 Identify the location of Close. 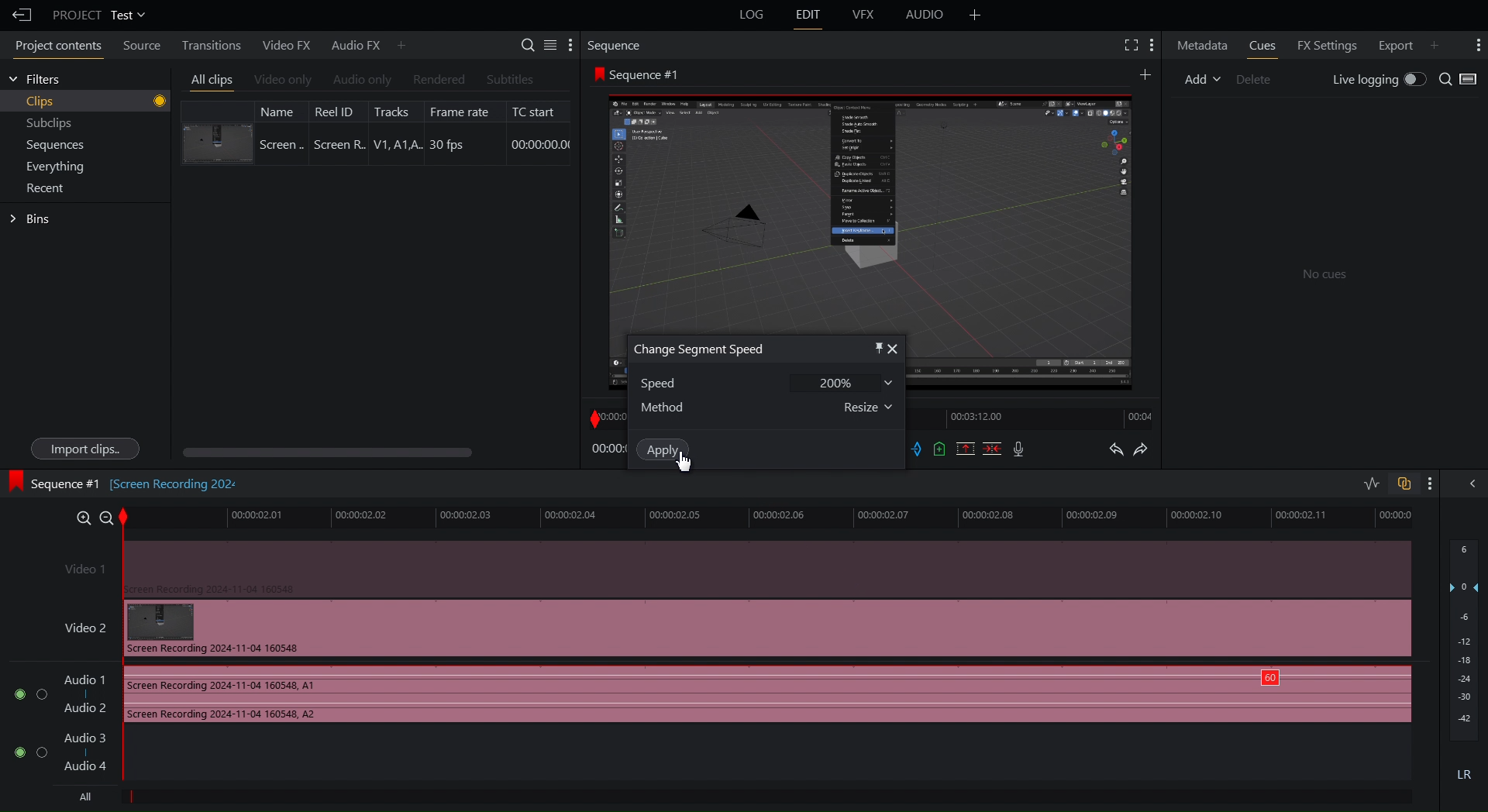
(895, 349).